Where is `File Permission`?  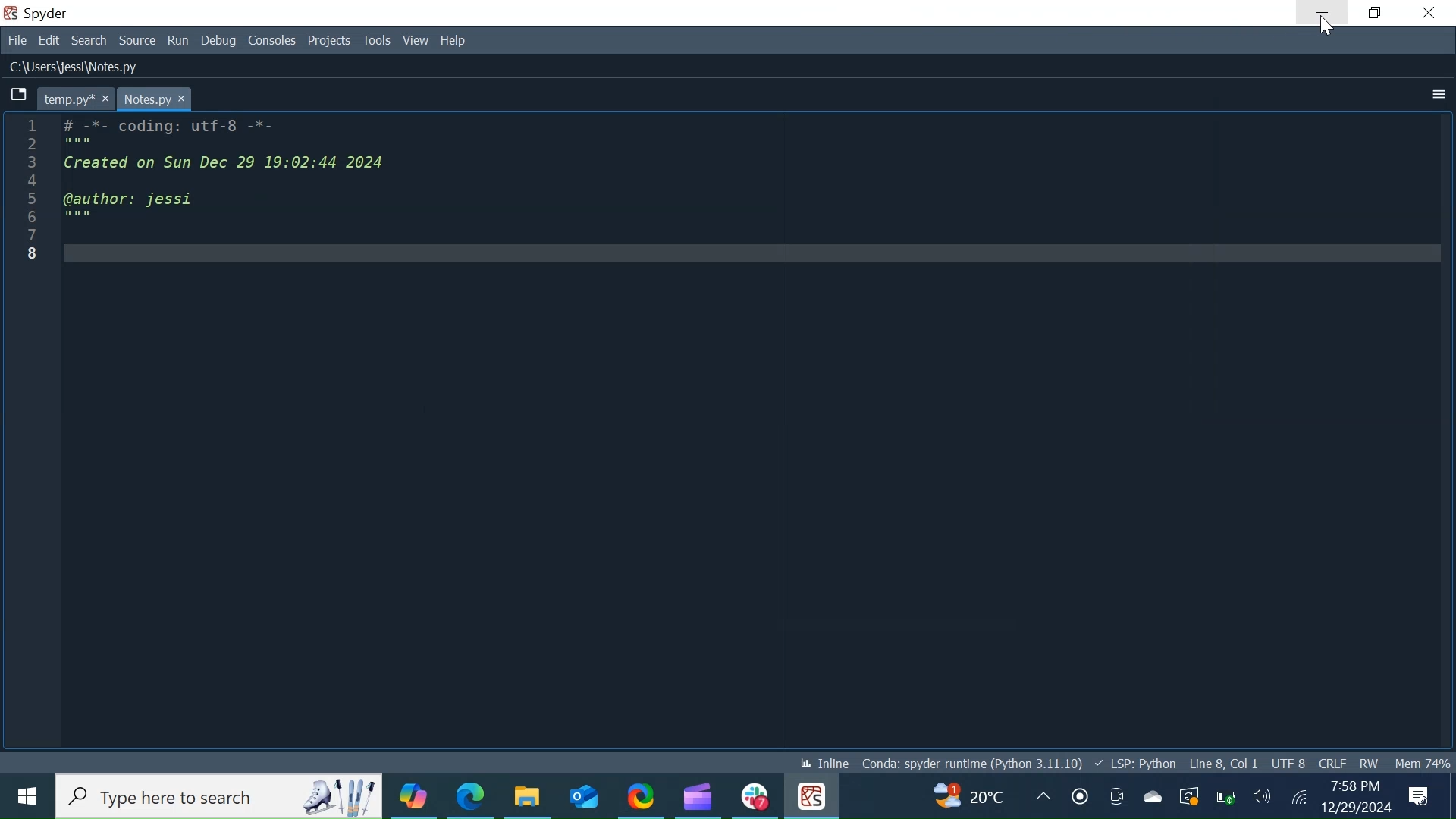 File Permission is located at coordinates (1369, 763).